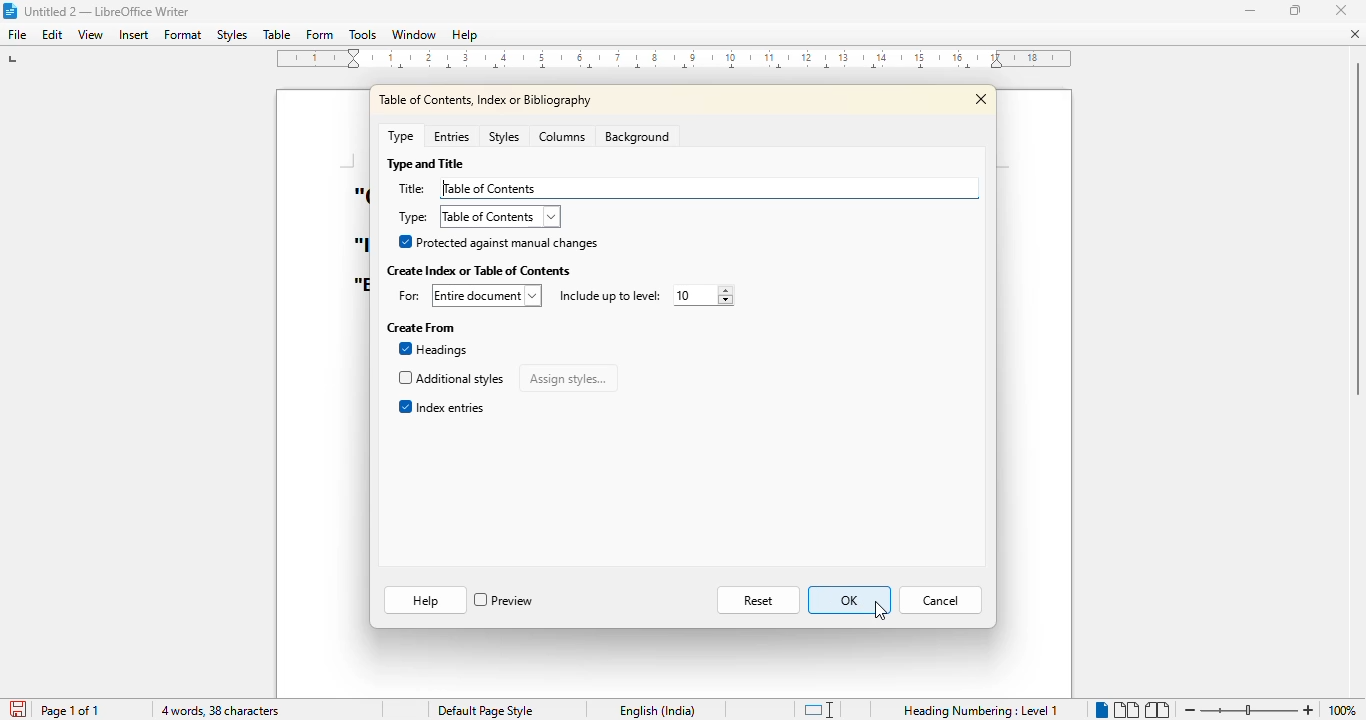 The height and width of the screenshot is (720, 1366). Describe the element at coordinates (849, 600) in the screenshot. I see `OK` at that location.